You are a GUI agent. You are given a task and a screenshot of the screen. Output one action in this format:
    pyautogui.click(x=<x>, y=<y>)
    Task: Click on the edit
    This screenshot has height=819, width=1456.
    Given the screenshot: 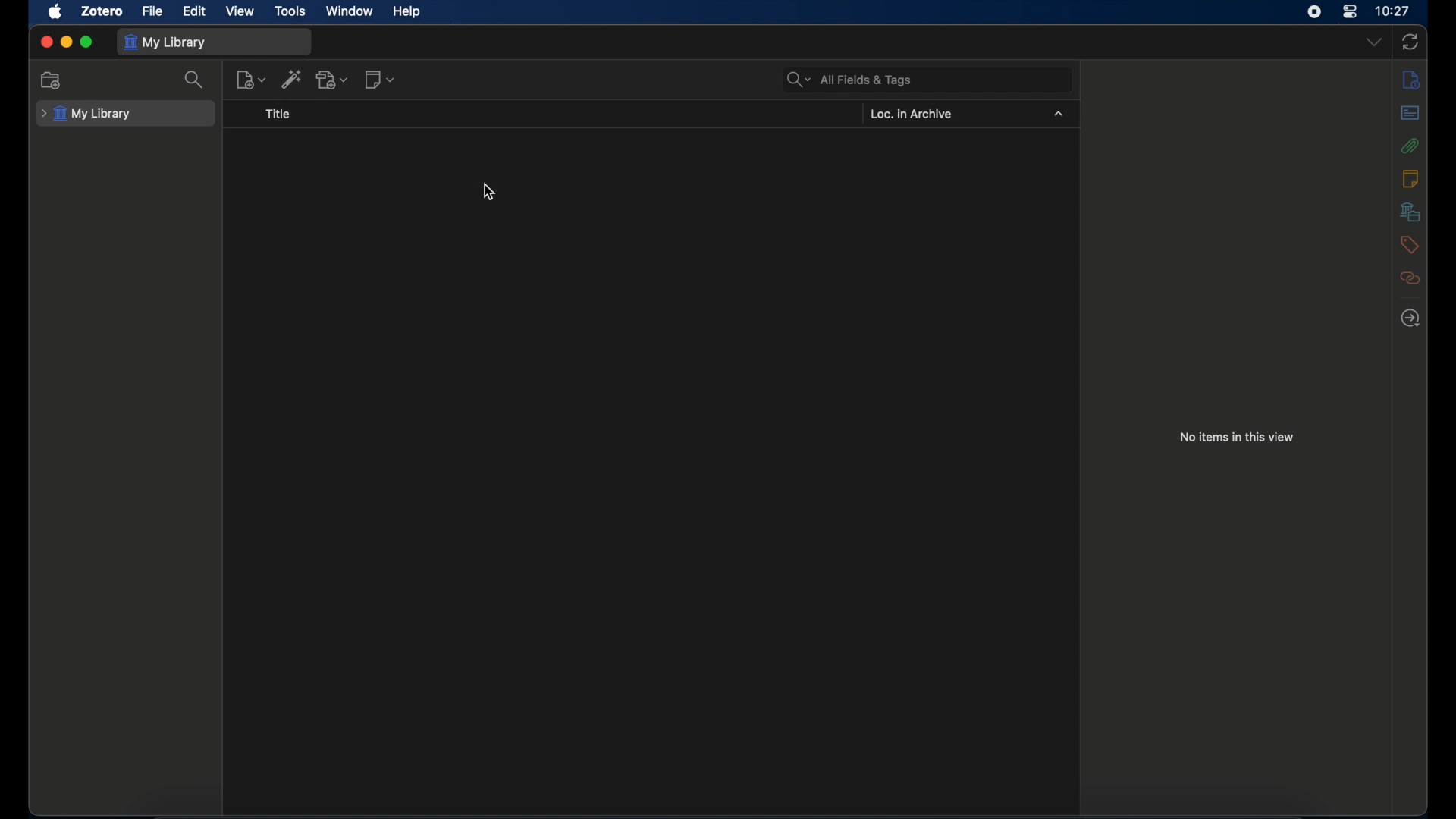 What is the action you would take?
    pyautogui.click(x=196, y=11)
    